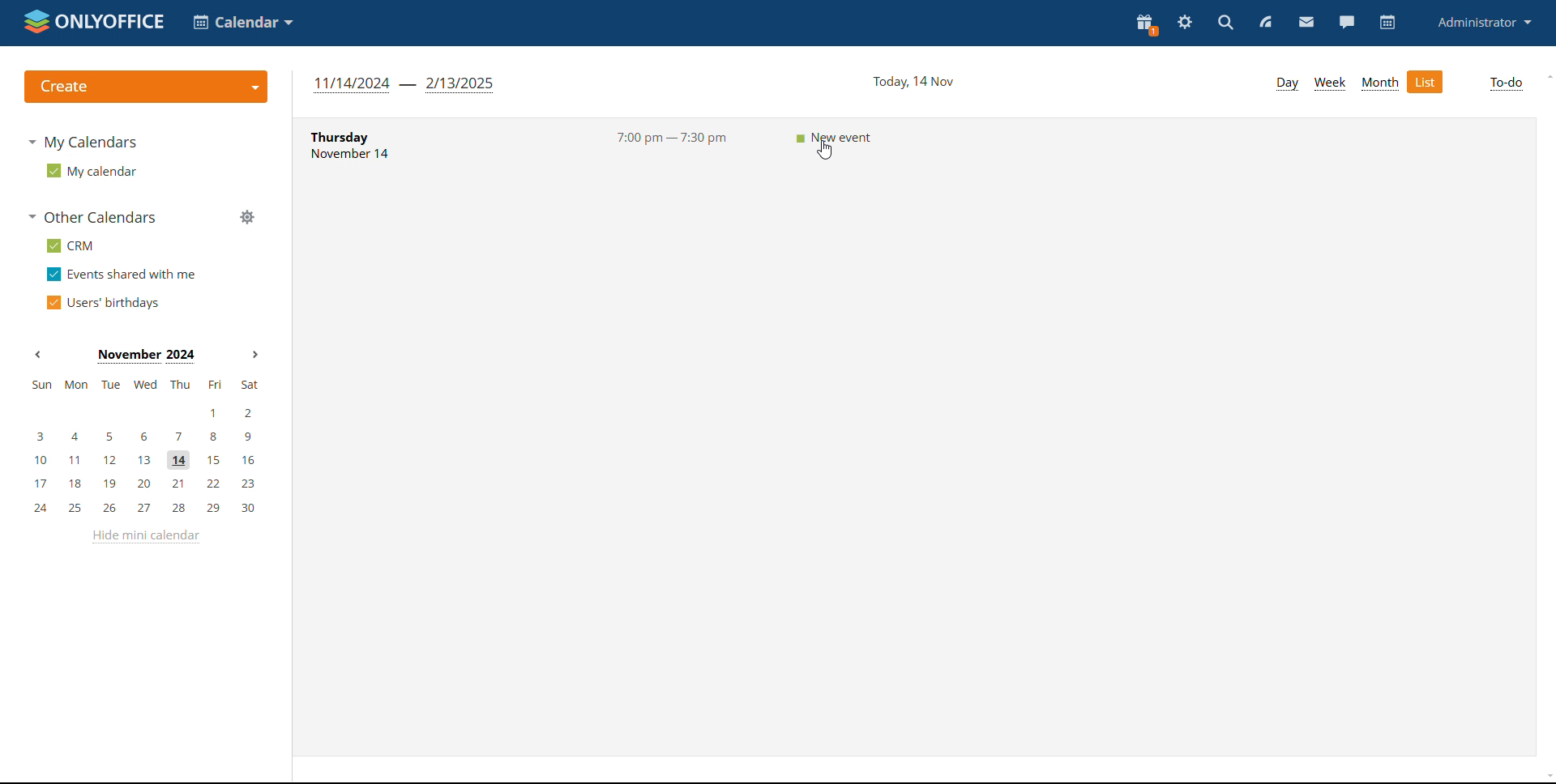  I want to click on my calendar, so click(92, 170).